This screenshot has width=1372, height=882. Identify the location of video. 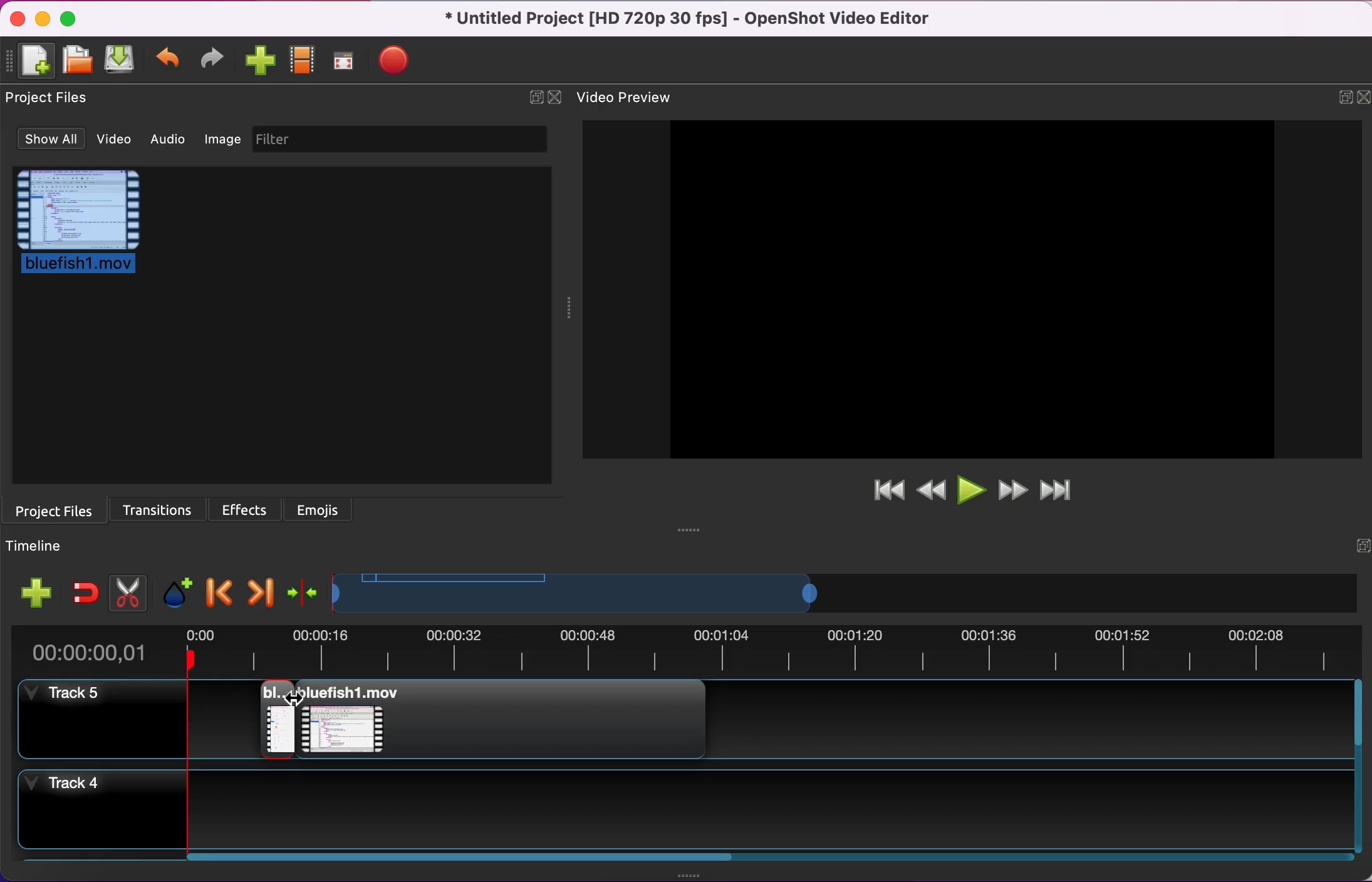
(112, 140).